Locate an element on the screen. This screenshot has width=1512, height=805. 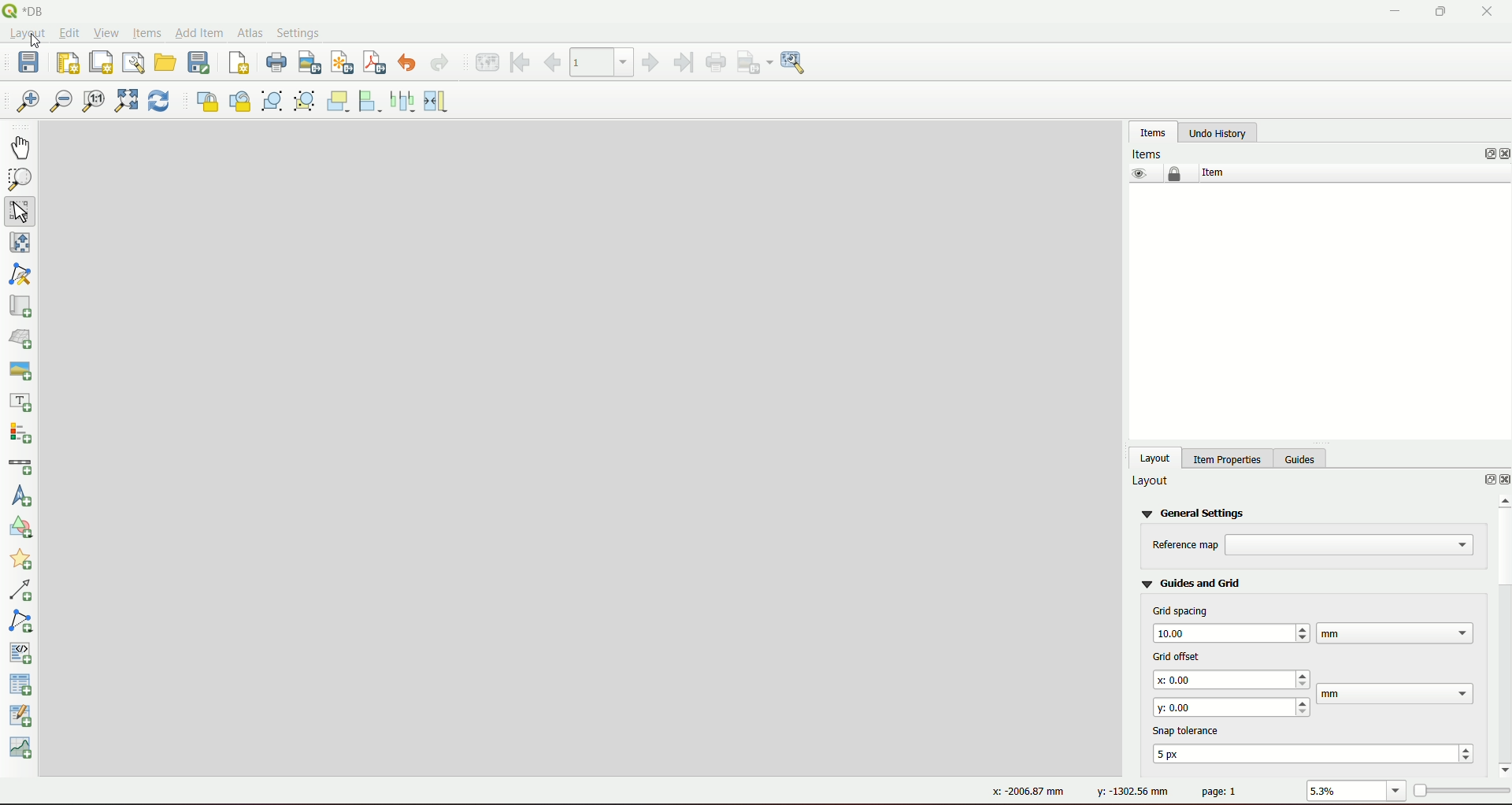
zoom slider is located at coordinates (1460, 789).